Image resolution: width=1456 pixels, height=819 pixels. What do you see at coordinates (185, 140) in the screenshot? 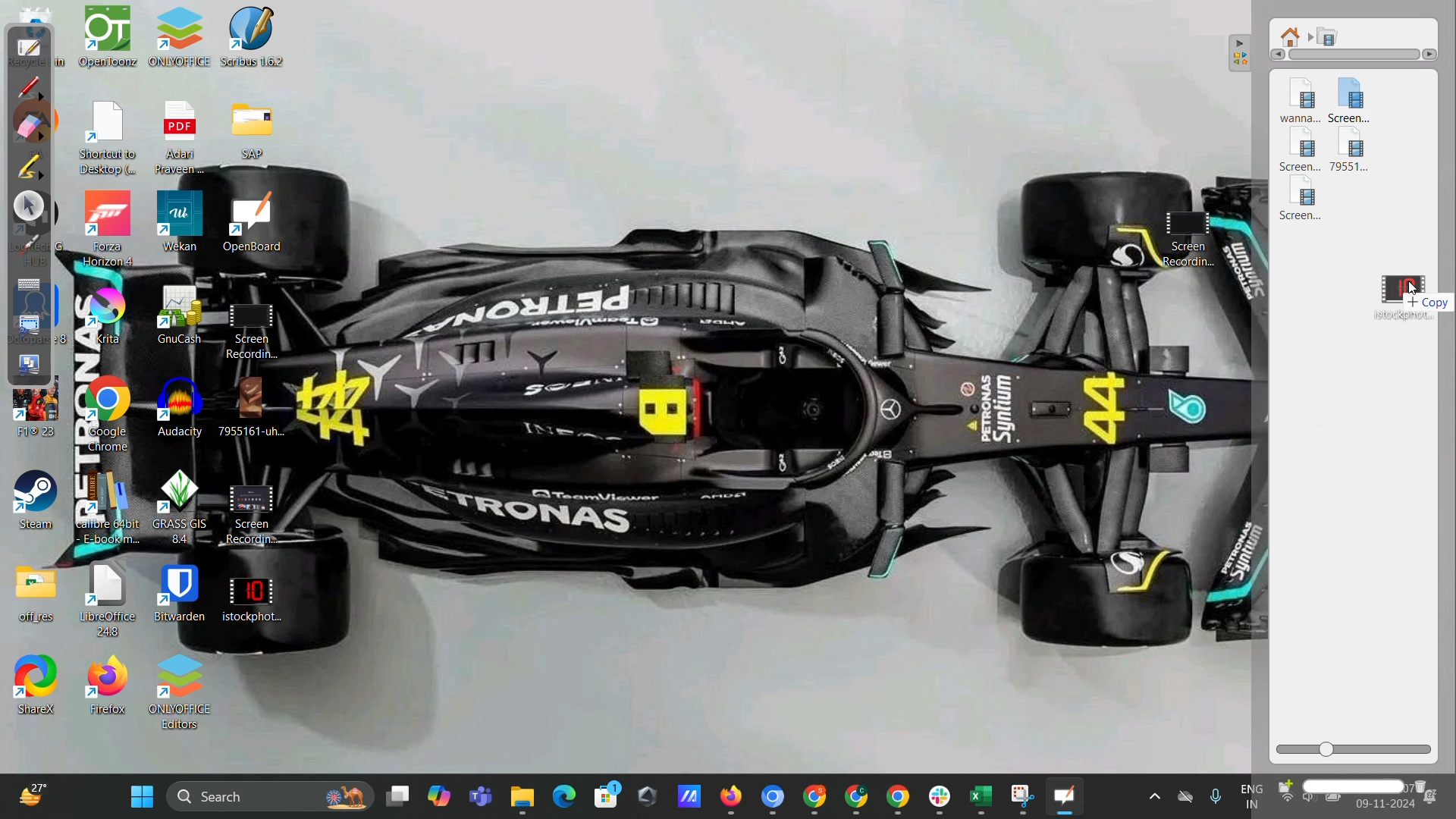
I see `Adan Pravenn` at bounding box center [185, 140].